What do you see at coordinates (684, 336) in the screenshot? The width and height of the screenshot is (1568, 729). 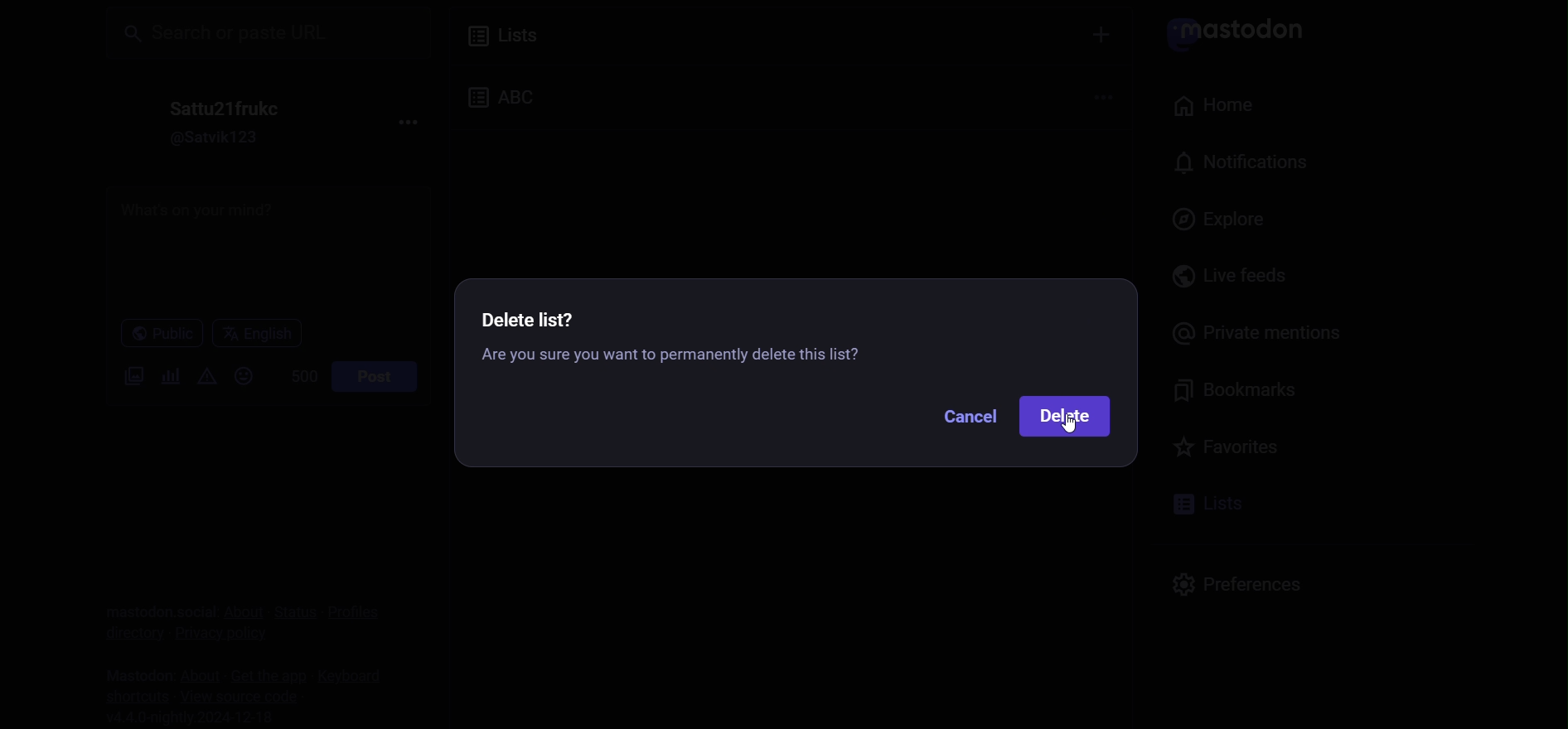 I see `Delete list instruction` at bounding box center [684, 336].